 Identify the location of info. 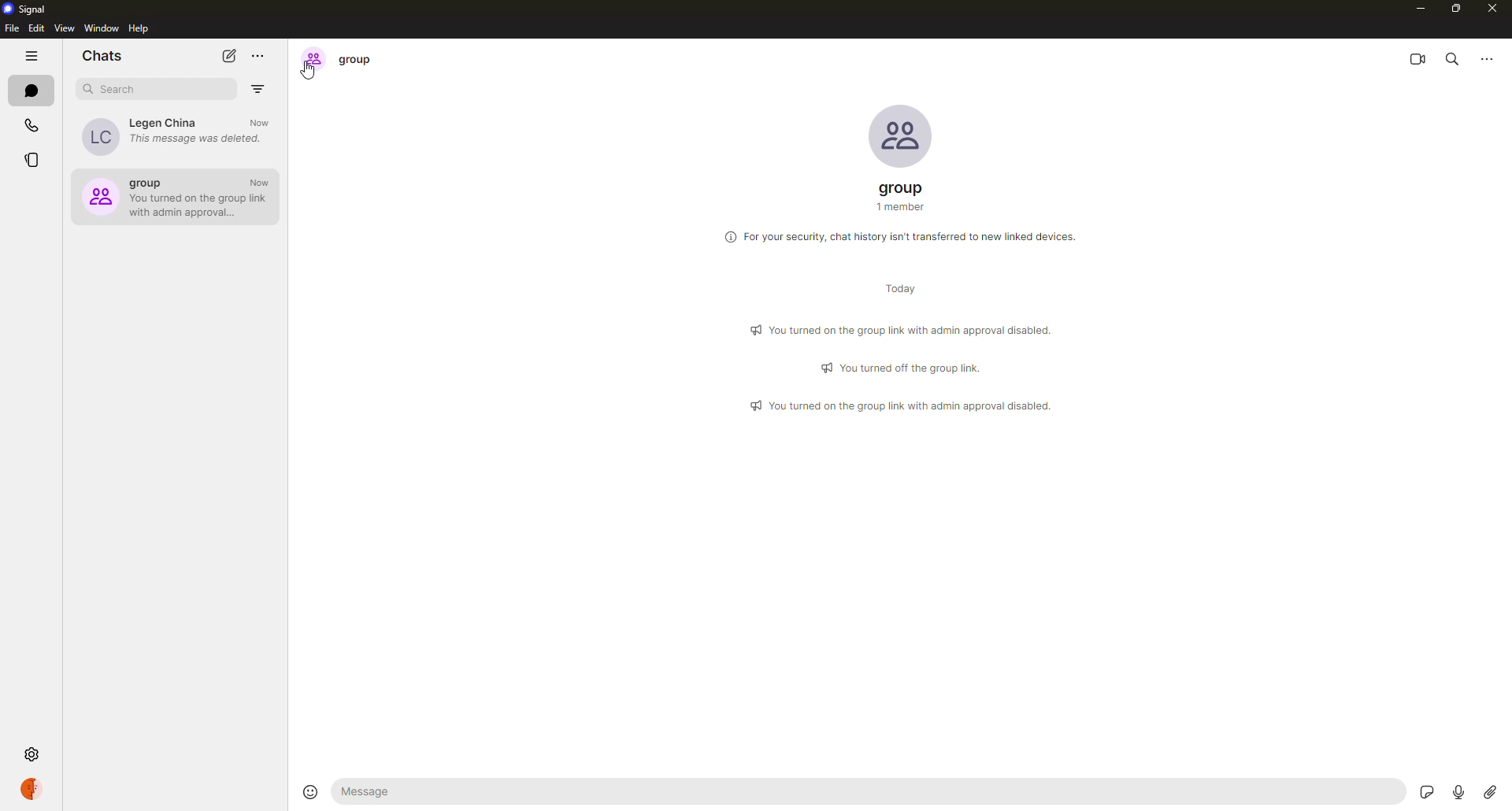
(899, 404).